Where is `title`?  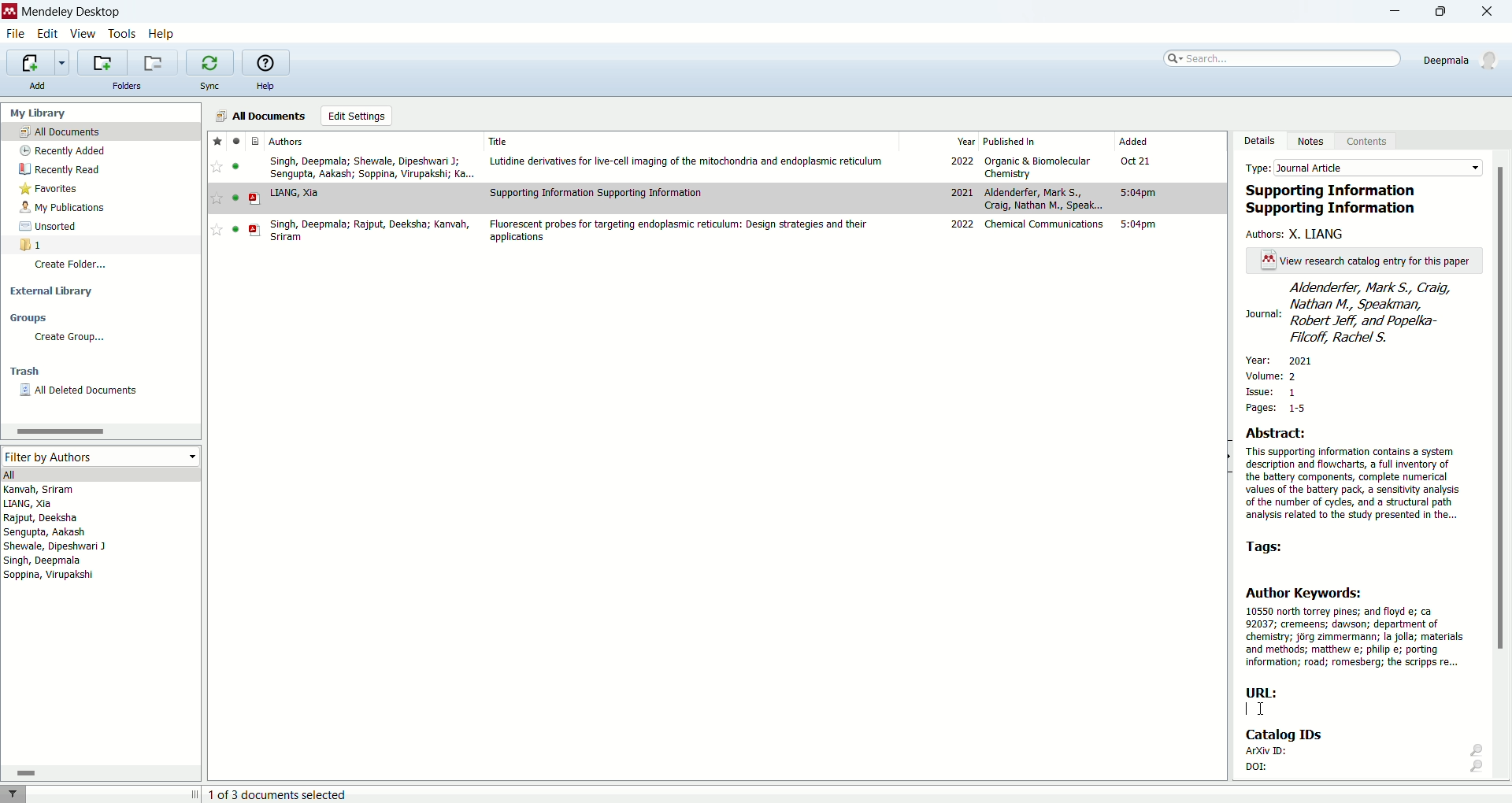
title is located at coordinates (498, 141).